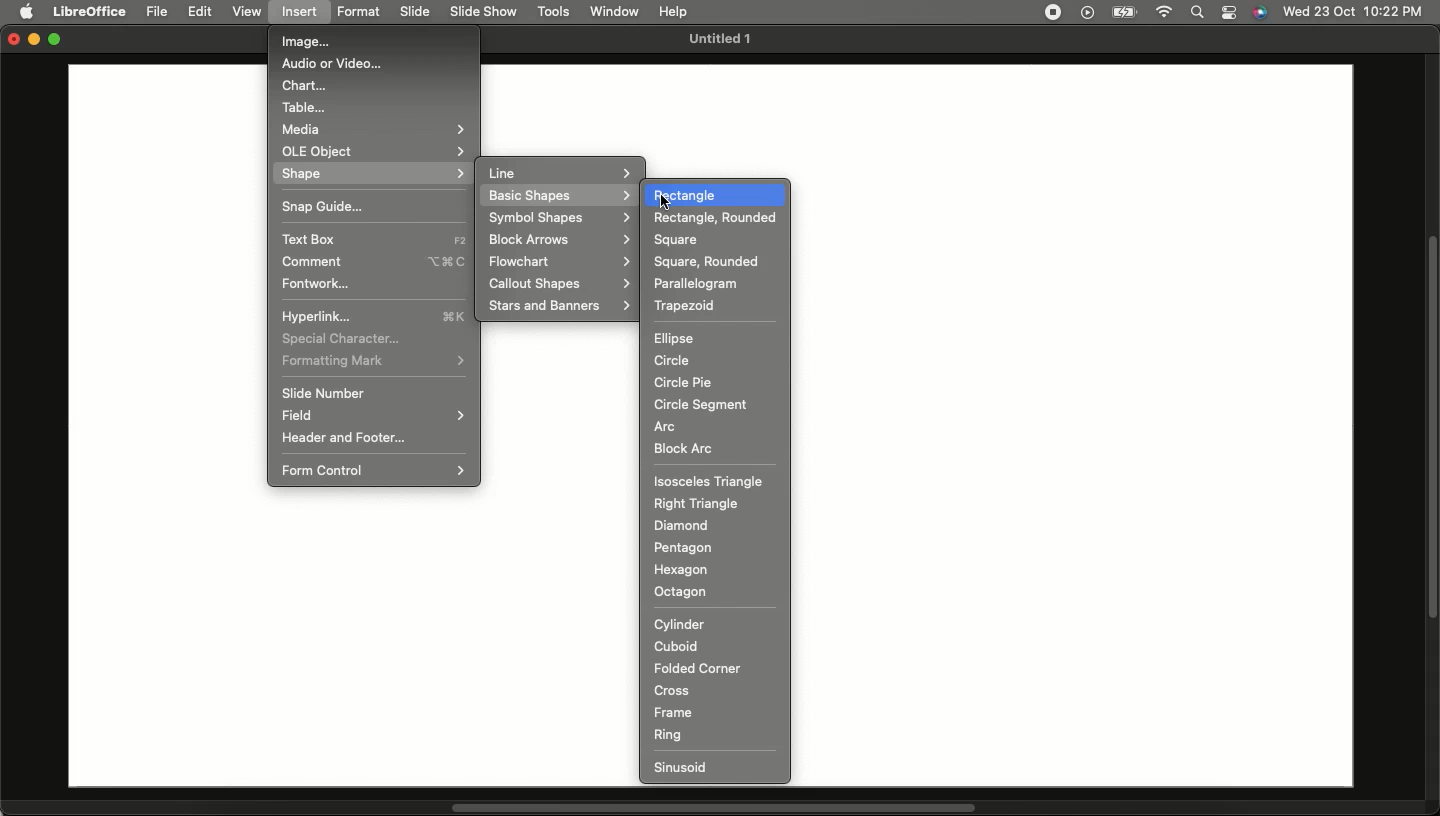 The height and width of the screenshot is (816, 1440). Describe the element at coordinates (10, 41) in the screenshot. I see `Close` at that location.